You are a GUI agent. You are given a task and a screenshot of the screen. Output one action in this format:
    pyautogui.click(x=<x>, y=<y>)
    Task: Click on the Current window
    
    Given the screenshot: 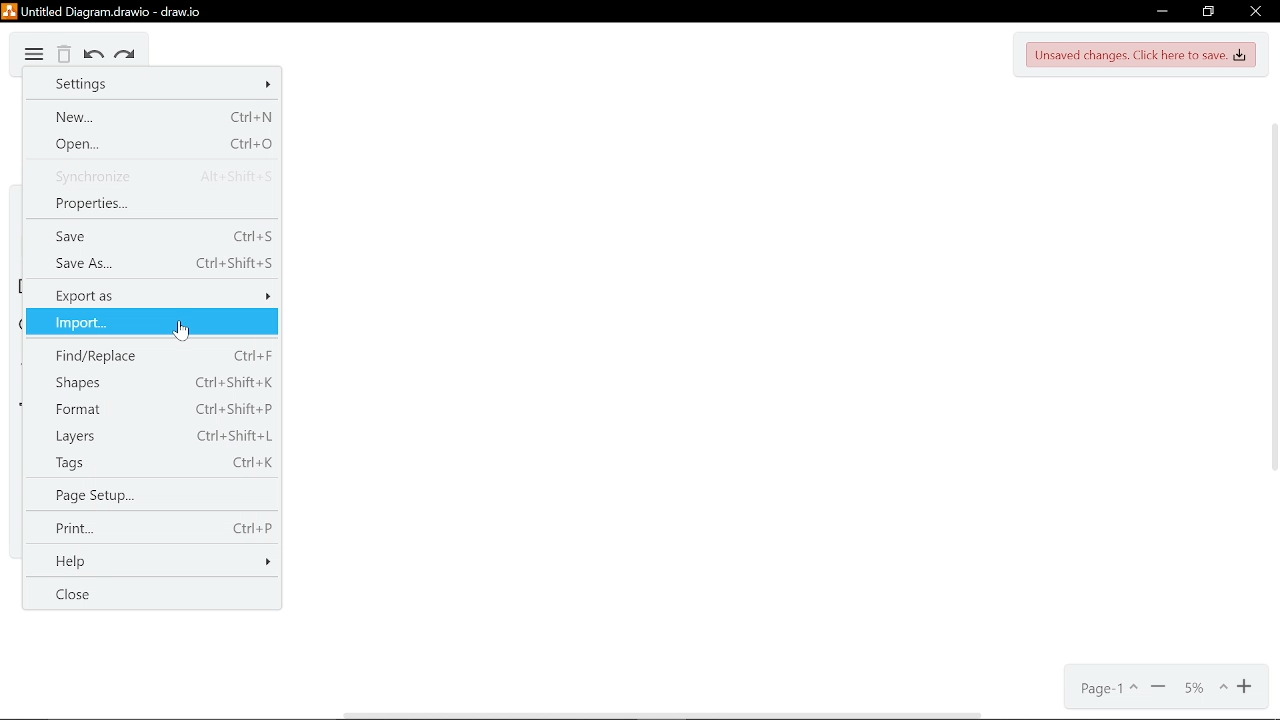 What is the action you would take?
    pyautogui.click(x=110, y=10)
    